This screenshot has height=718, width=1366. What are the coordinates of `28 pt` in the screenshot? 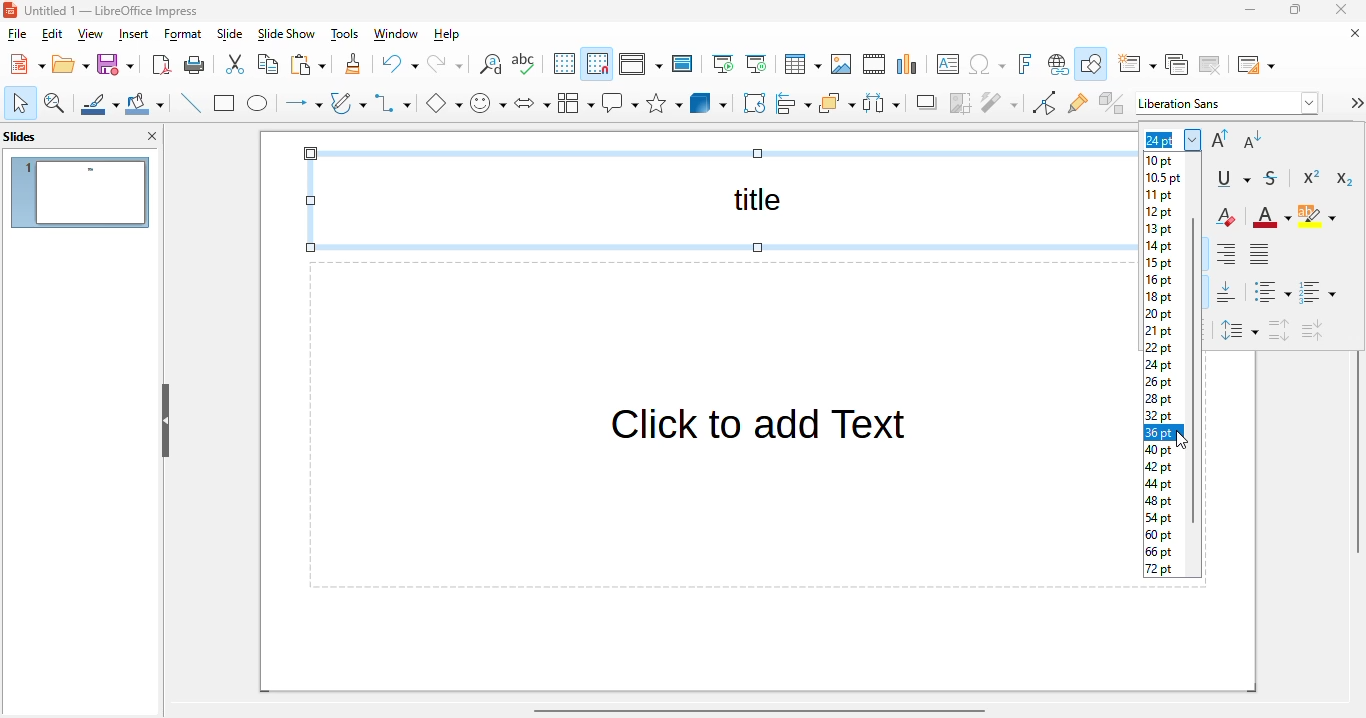 It's located at (1160, 399).